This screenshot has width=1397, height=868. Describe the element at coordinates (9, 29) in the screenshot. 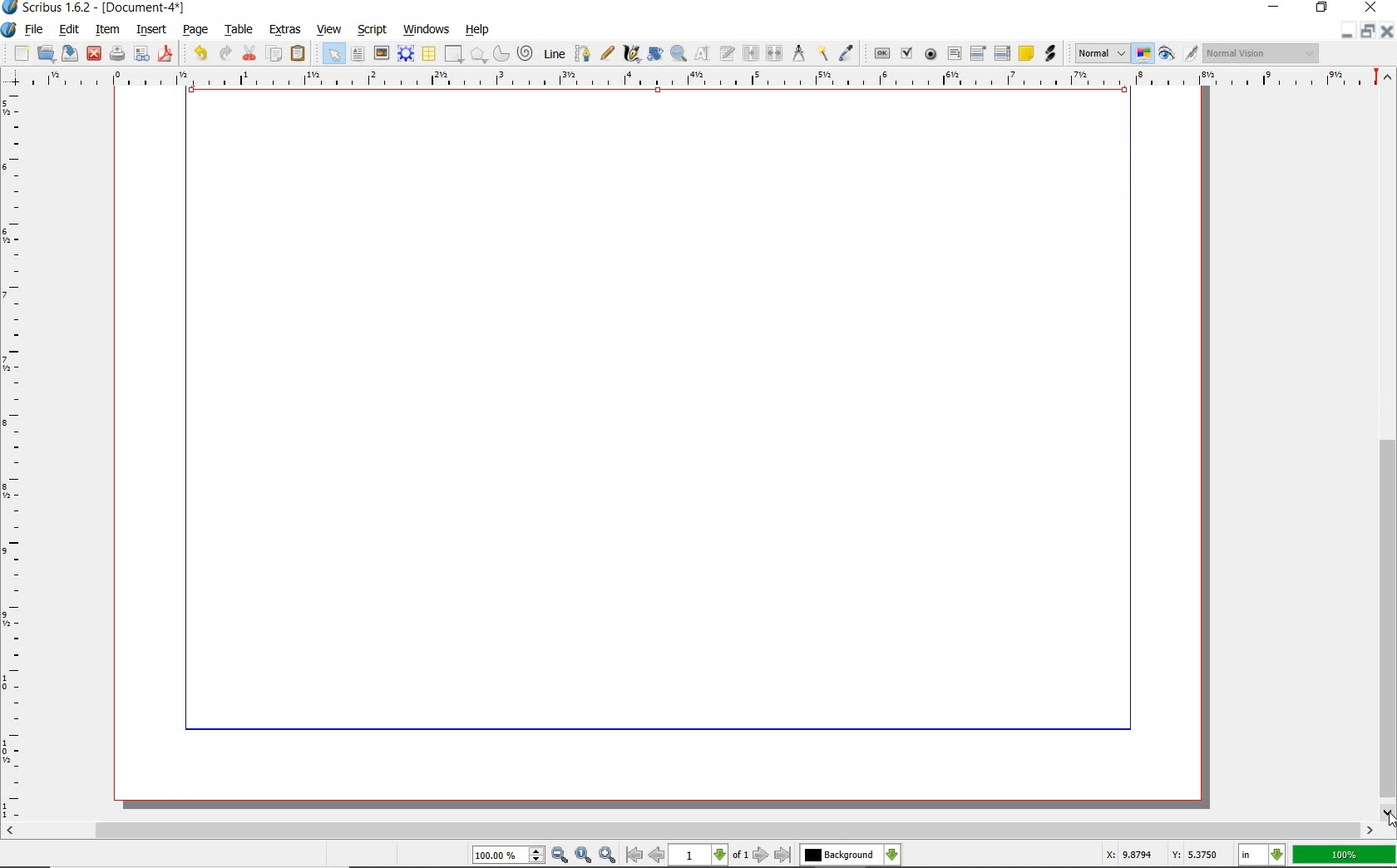

I see `system icon` at that location.